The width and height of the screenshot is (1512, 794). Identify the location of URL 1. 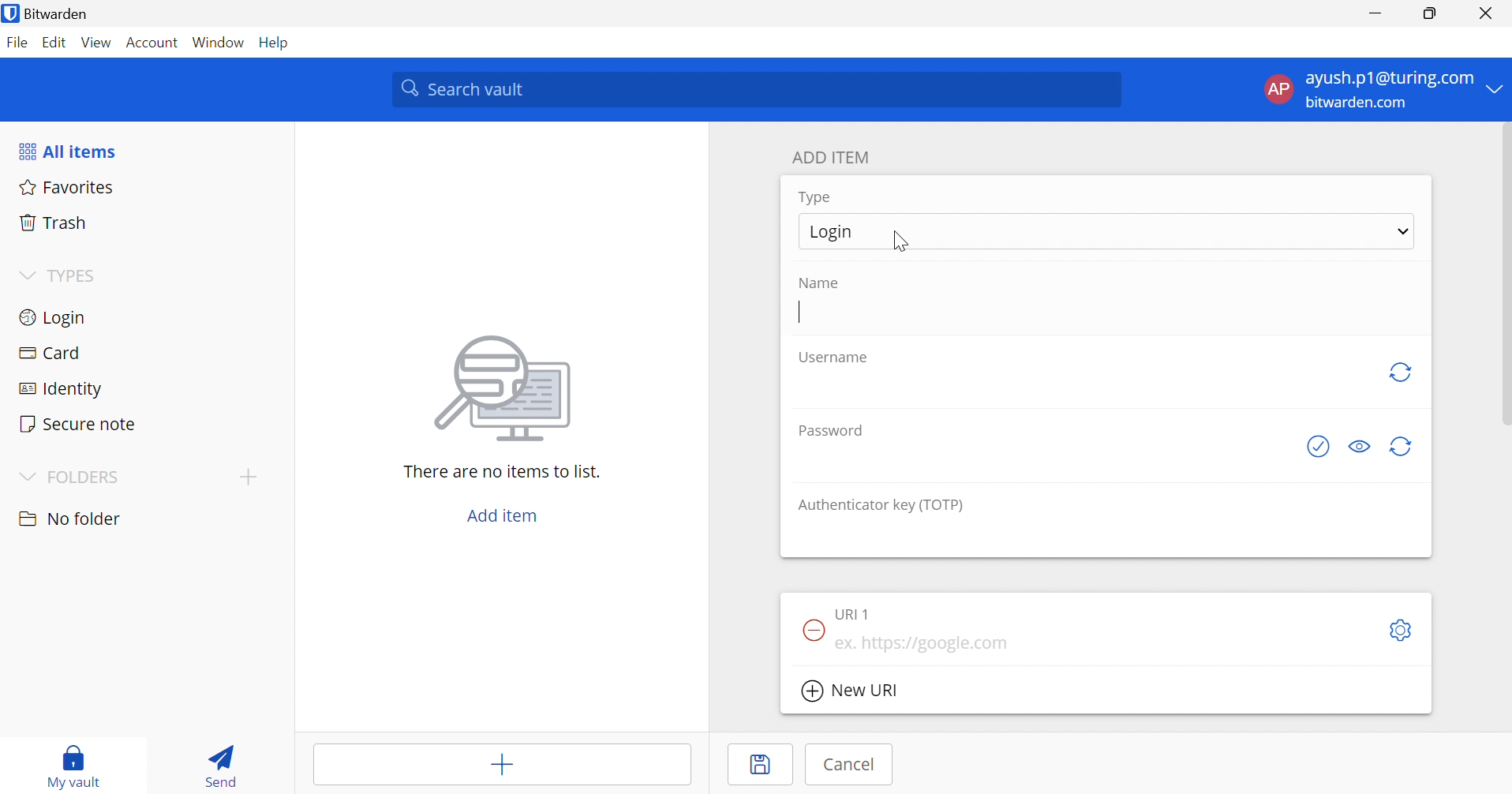
(858, 613).